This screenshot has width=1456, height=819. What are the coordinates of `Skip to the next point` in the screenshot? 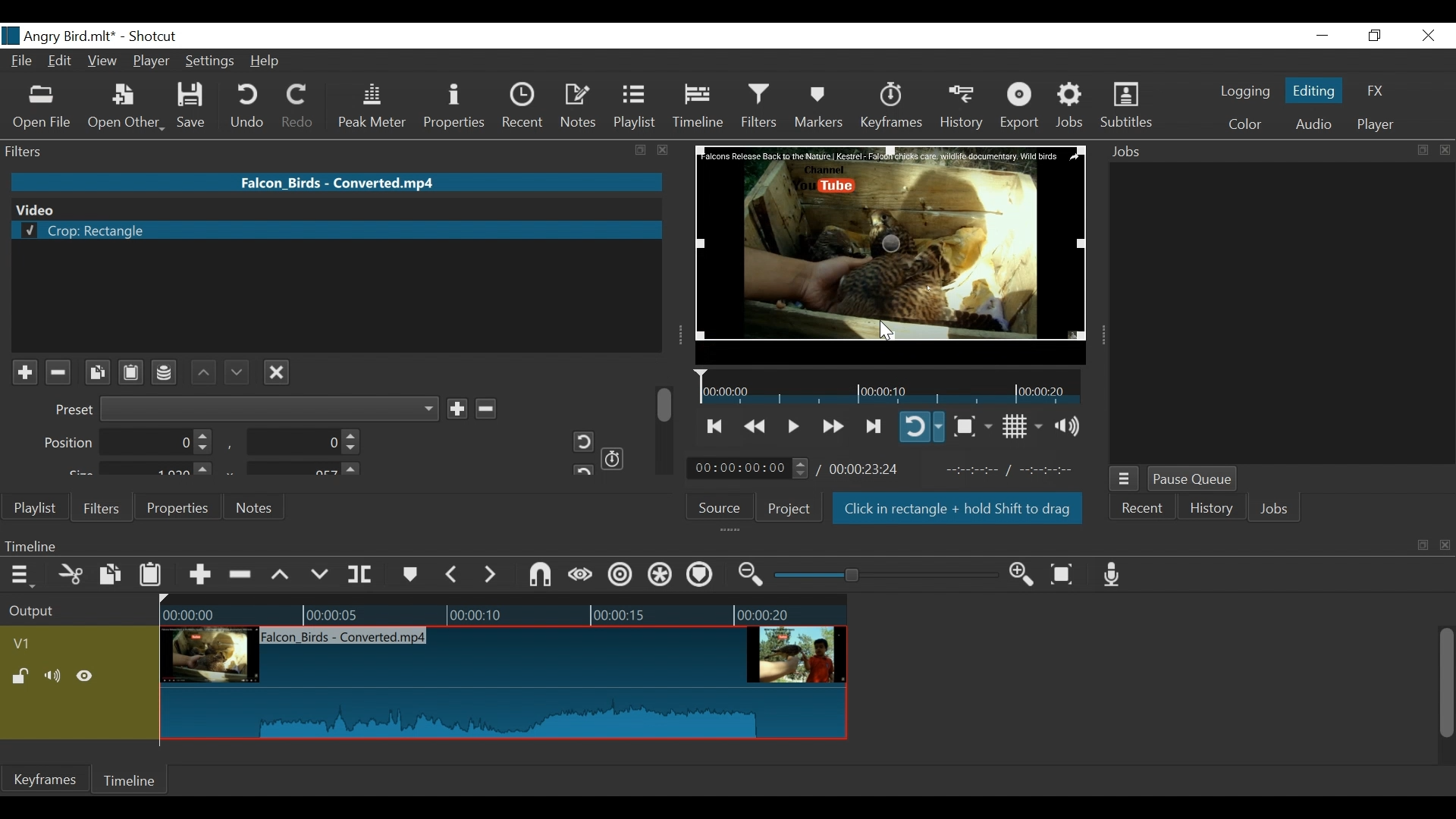 It's located at (874, 427).